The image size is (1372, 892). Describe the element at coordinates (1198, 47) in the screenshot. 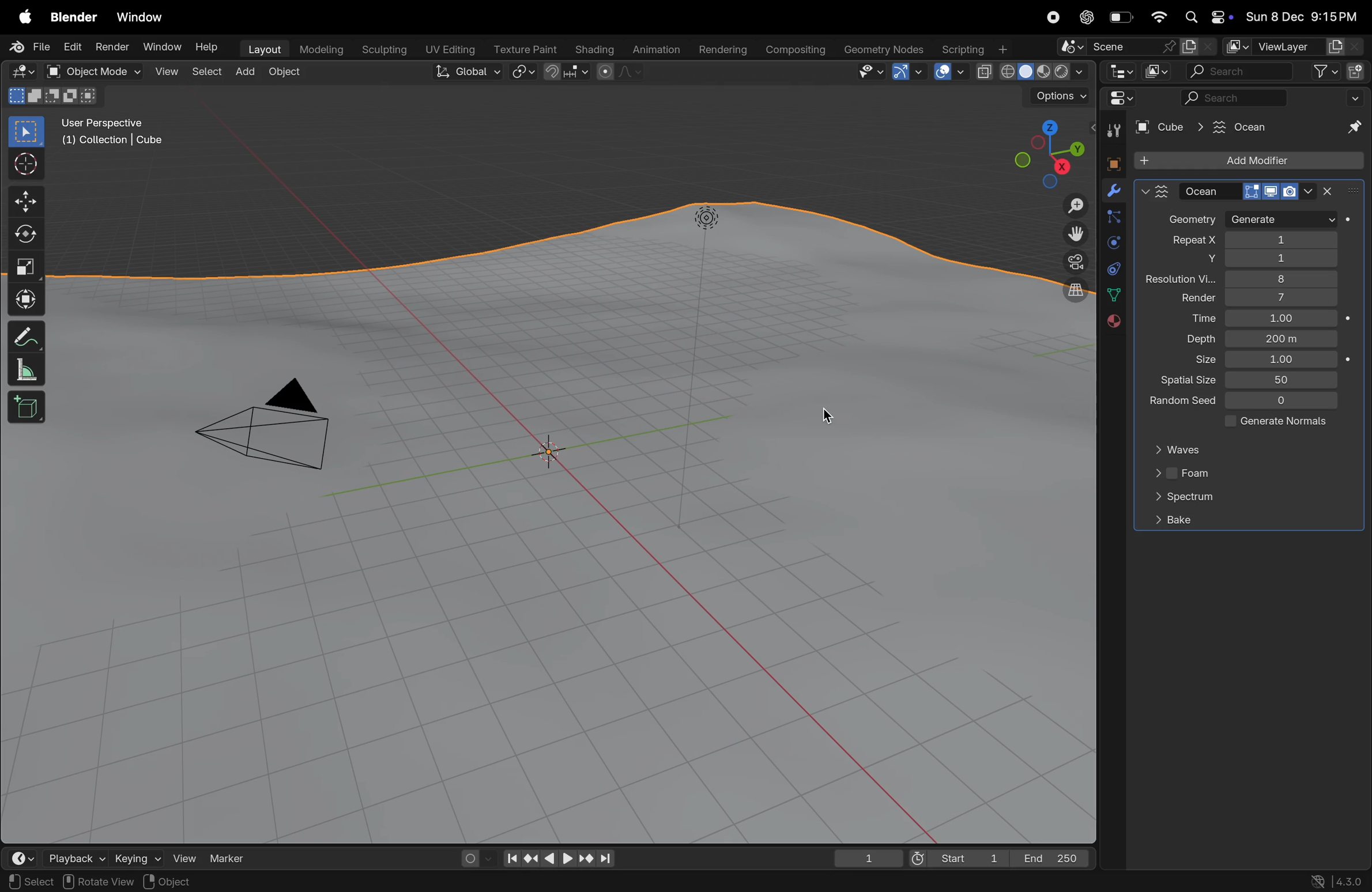

I see `copy` at that location.